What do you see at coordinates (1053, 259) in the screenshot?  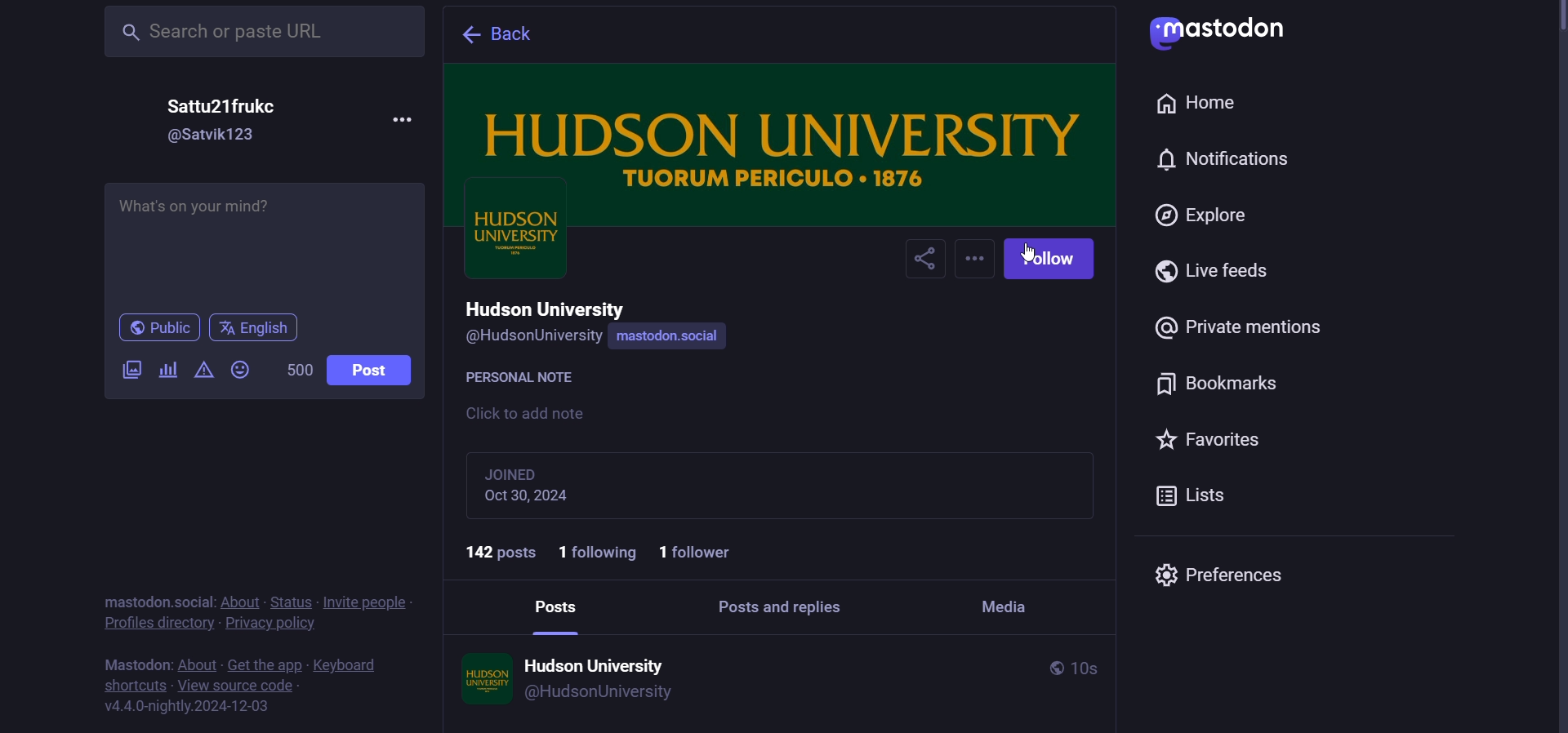 I see `follow` at bounding box center [1053, 259].